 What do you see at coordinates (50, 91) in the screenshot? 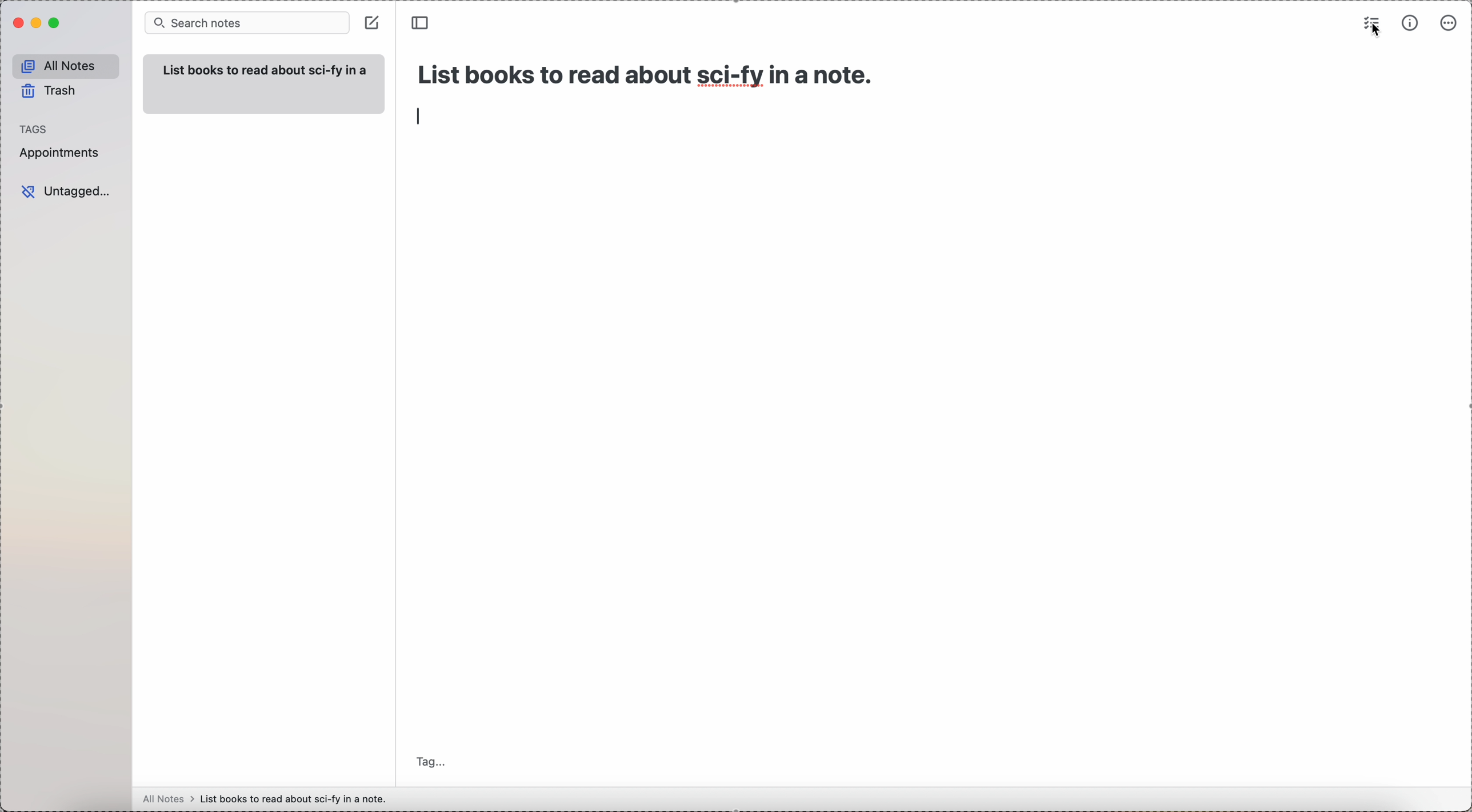
I see `trash` at bounding box center [50, 91].